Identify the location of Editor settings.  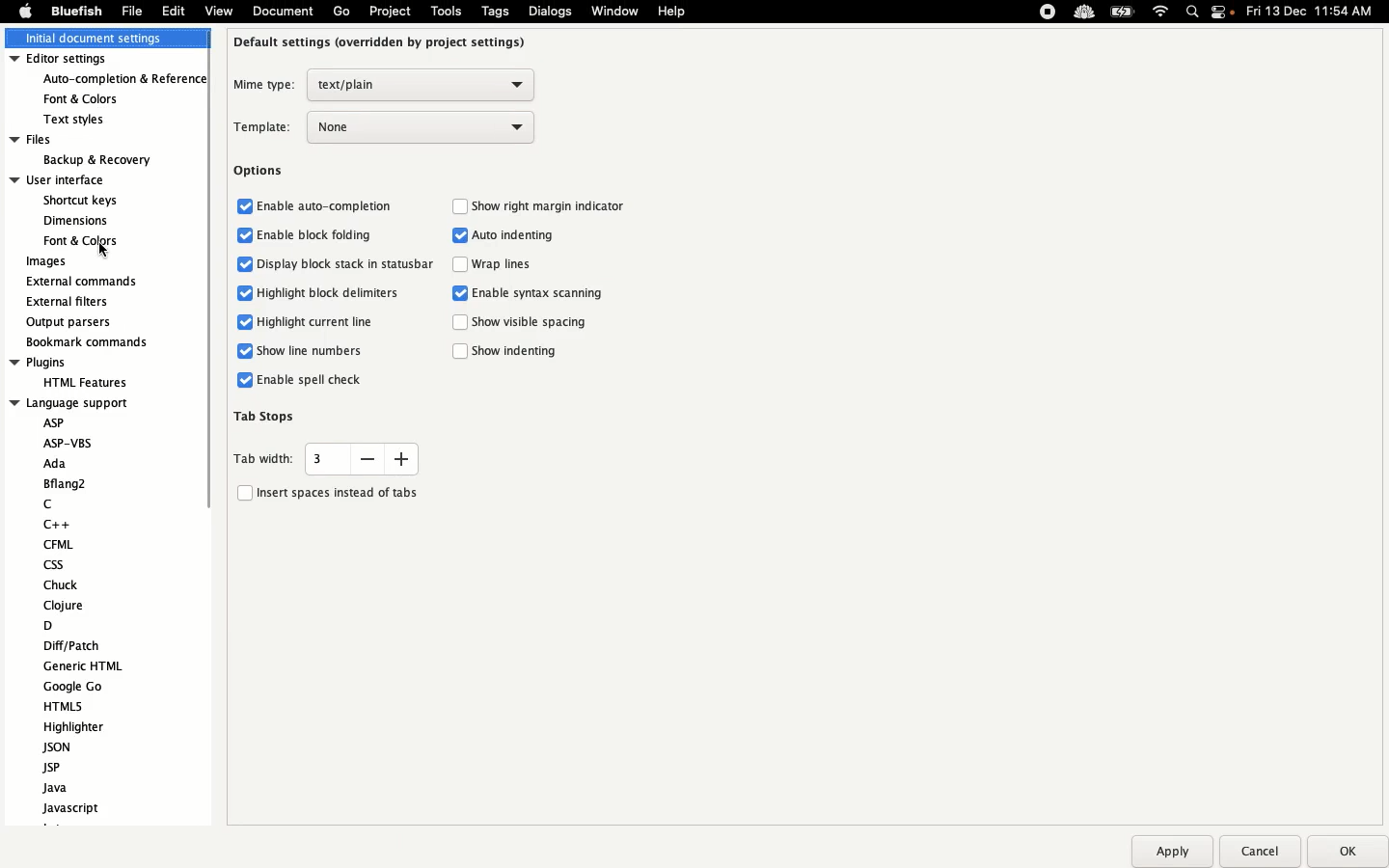
(104, 60).